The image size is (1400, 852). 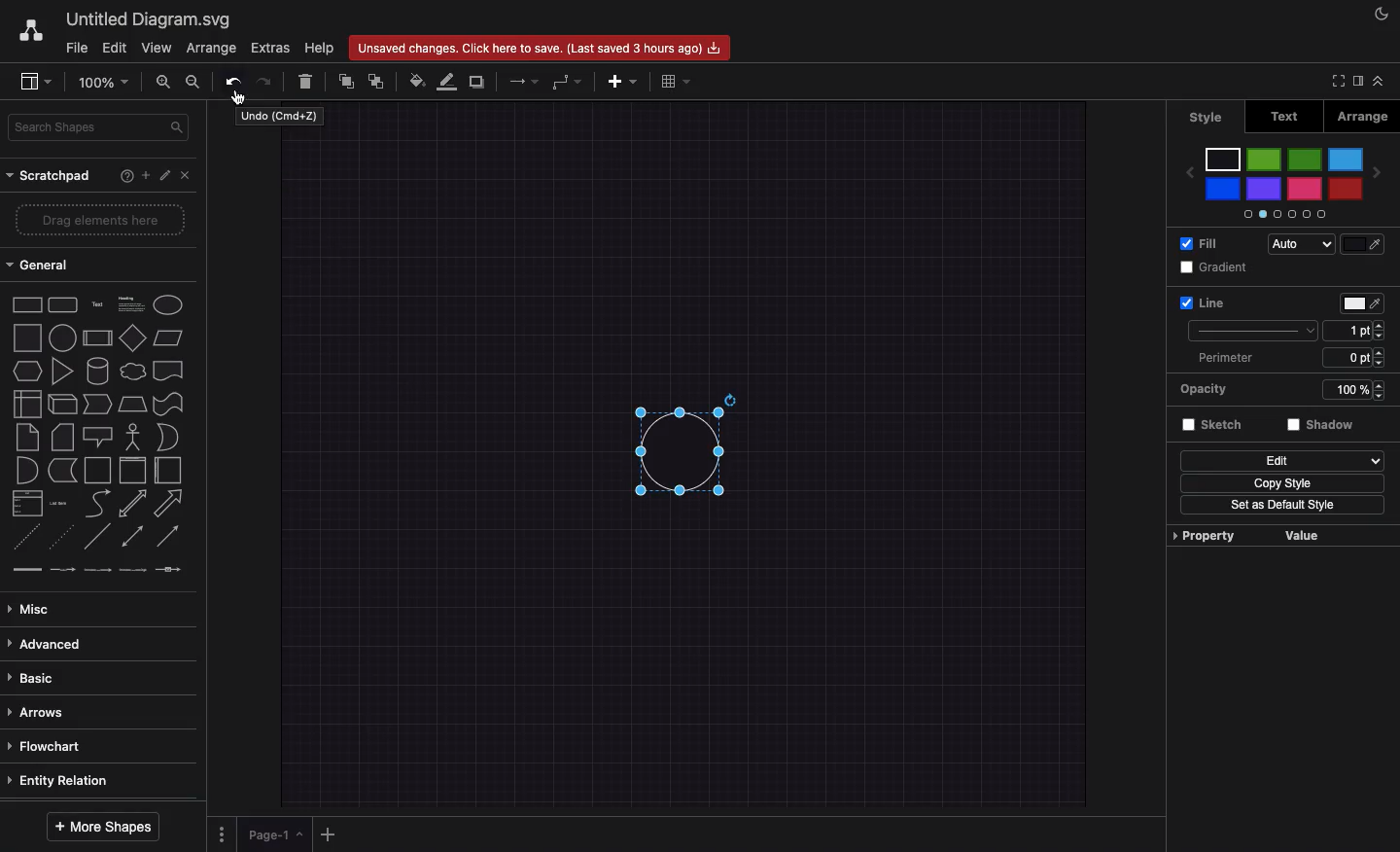 What do you see at coordinates (1195, 243) in the screenshot?
I see `Fill` at bounding box center [1195, 243].